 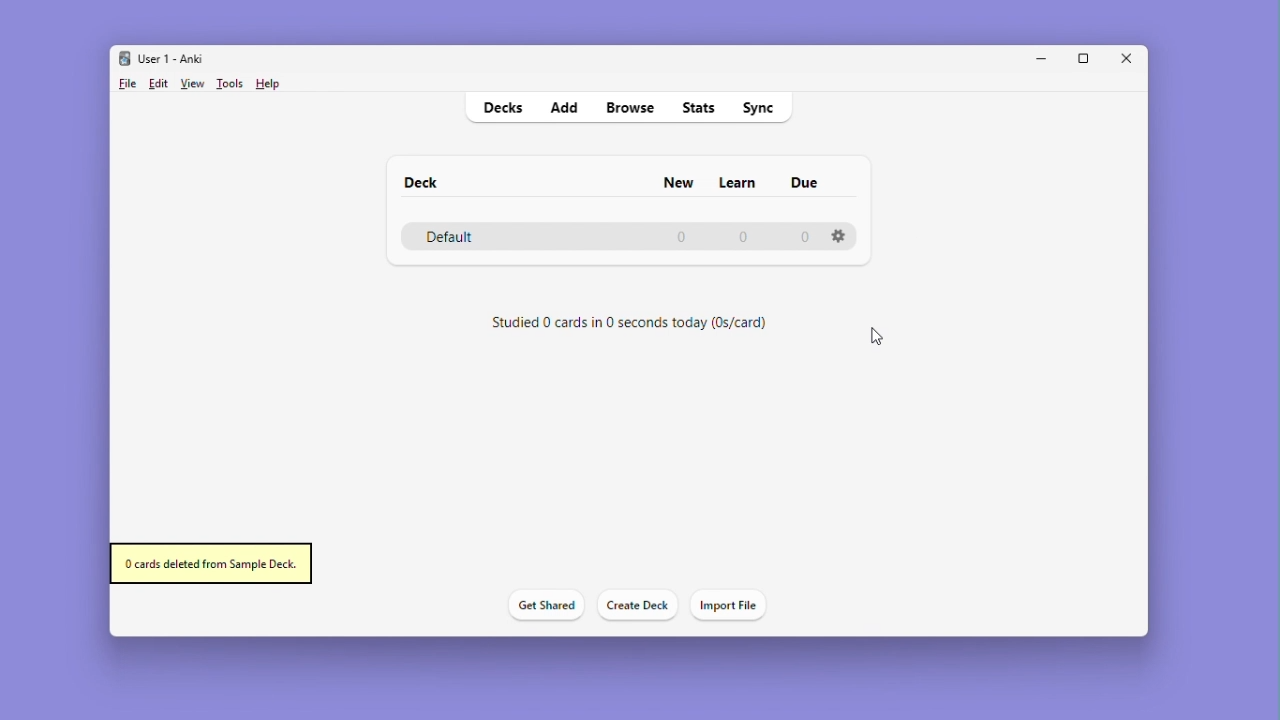 What do you see at coordinates (229, 83) in the screenshot?
I see `Tools` at bounding box center [229, 83].